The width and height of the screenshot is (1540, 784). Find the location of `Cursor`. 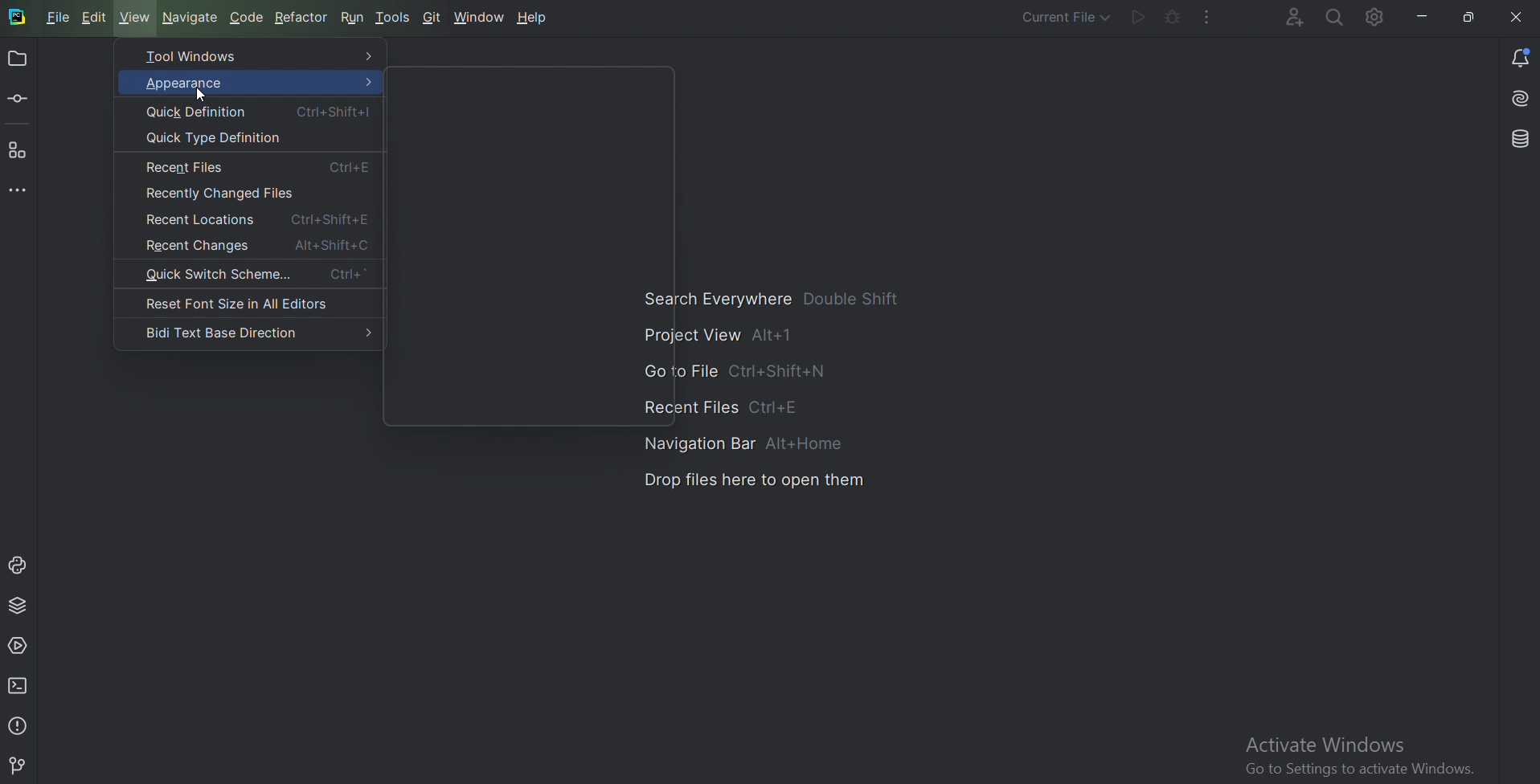

Cursor is located at coordinates (201, 96).